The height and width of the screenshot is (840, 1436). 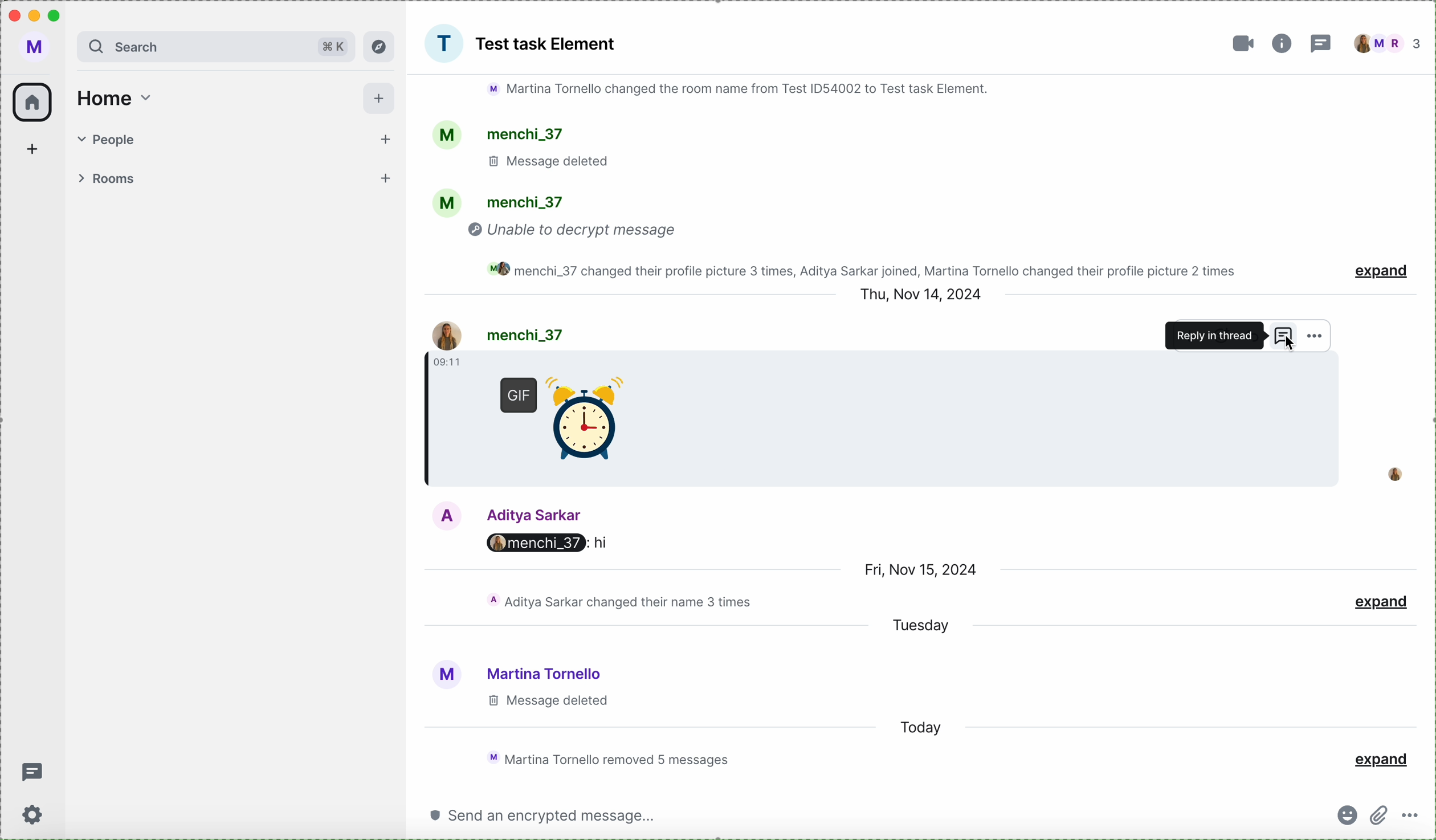 What do you see at coordinates (618, 601) in the screenshot?
I see `chat activity of the day` at bounding box center [618, 601].